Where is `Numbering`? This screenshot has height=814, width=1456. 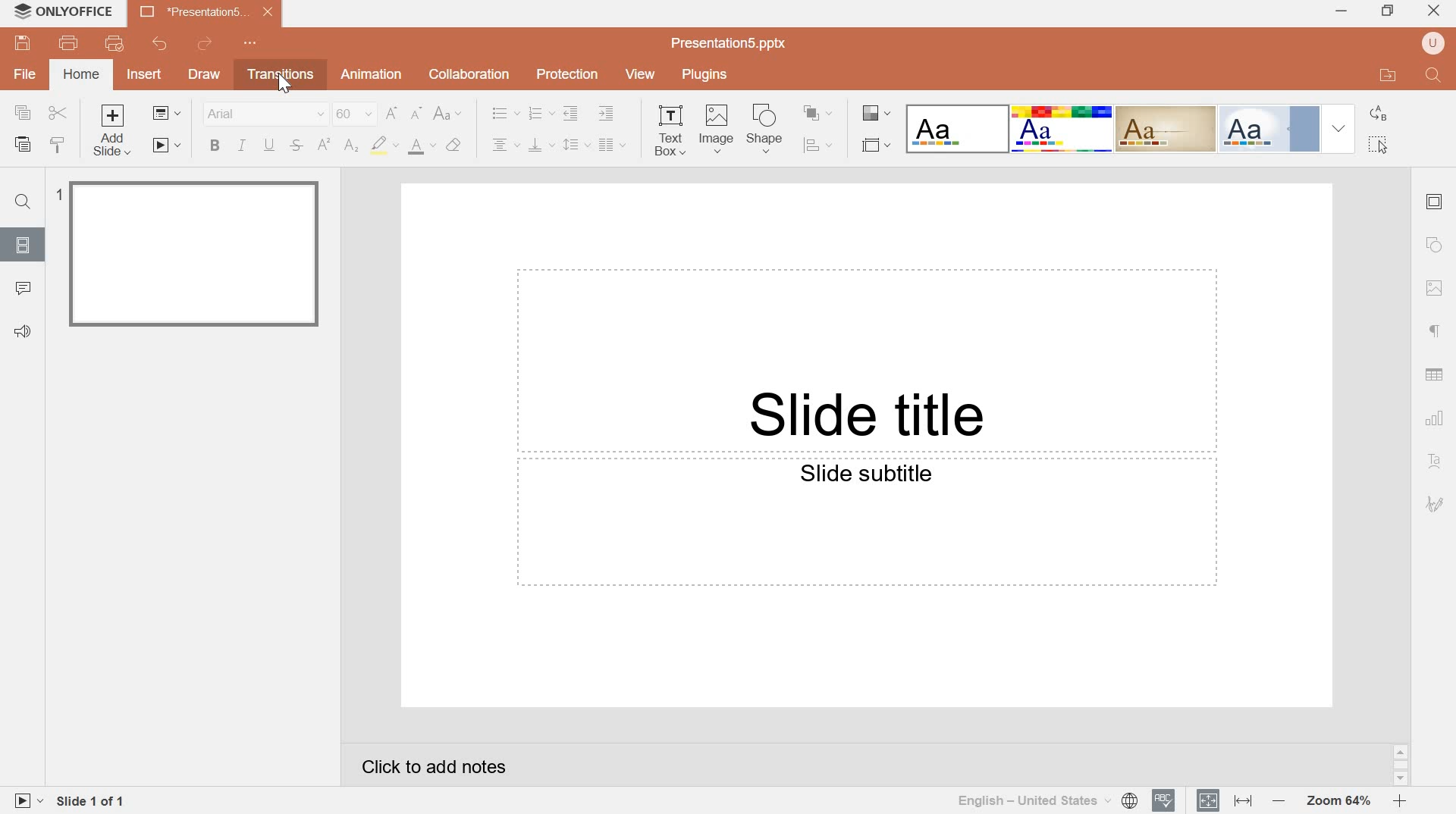
Numbering is located at coordinates (541, 114).